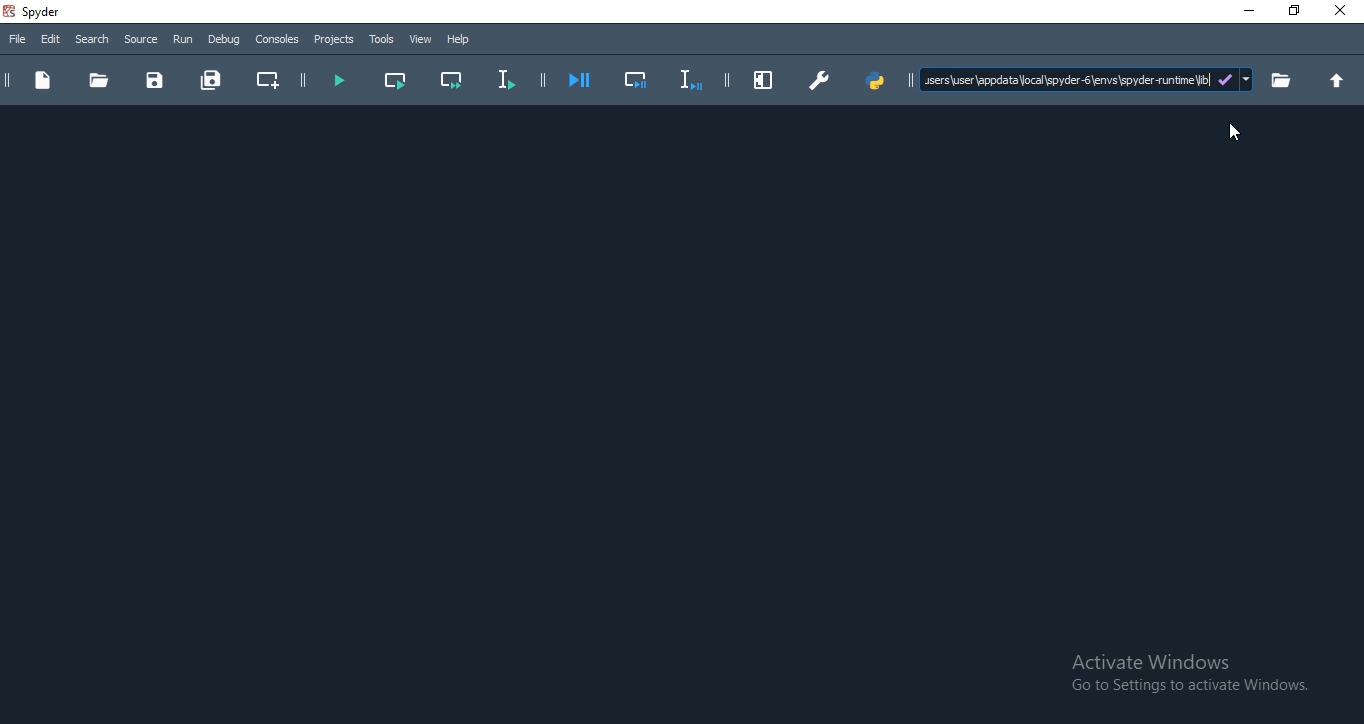 The height and width of the screenshot is (724, 1364). What do you see at coordinates (1282, 80) in the screenshot?
I see `folder` at bounding box center [1282, 80].